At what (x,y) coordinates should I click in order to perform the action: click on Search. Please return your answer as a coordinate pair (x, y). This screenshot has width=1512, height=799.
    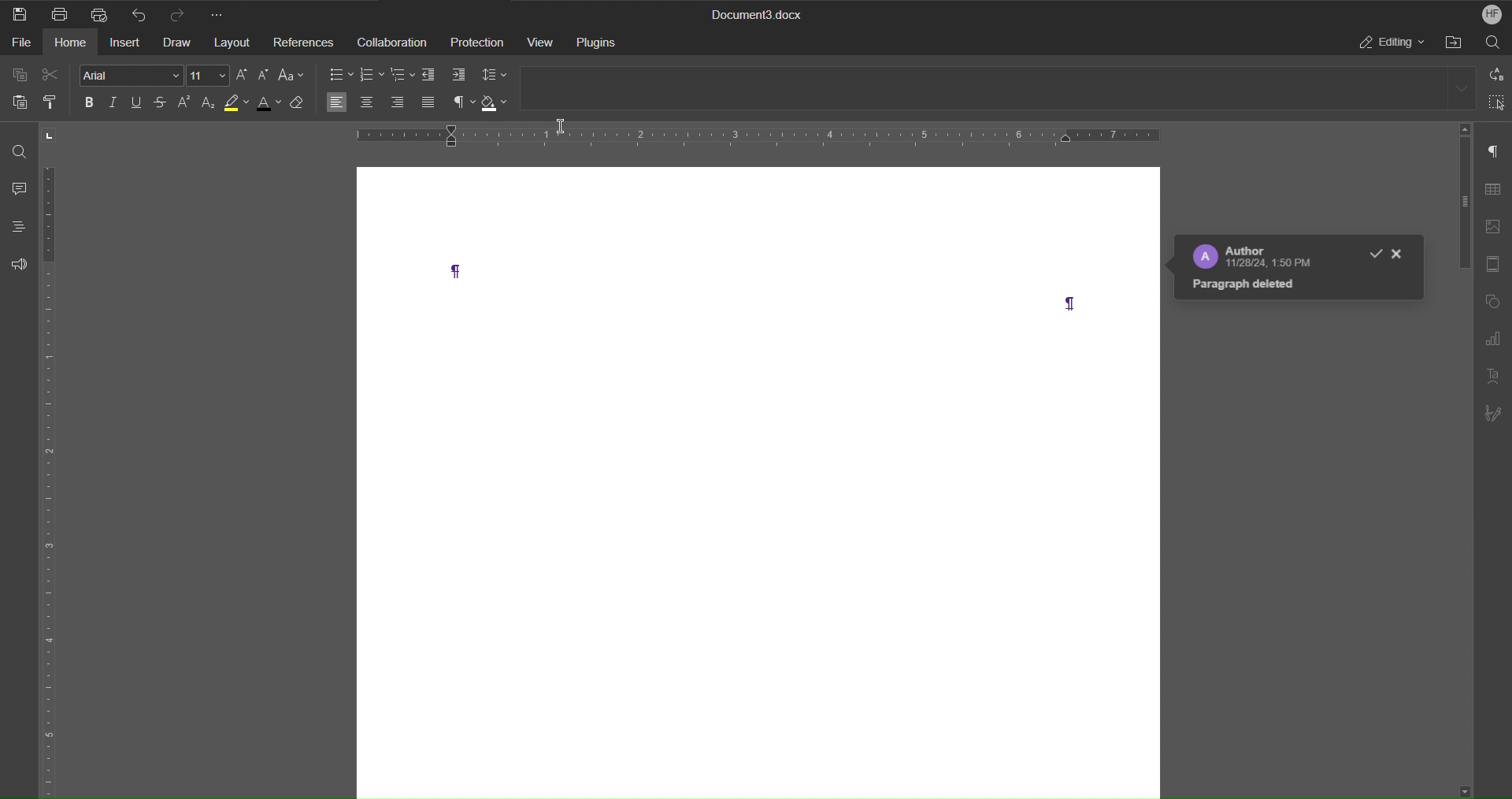
    Looking at the image, I should click on (1493, 43).